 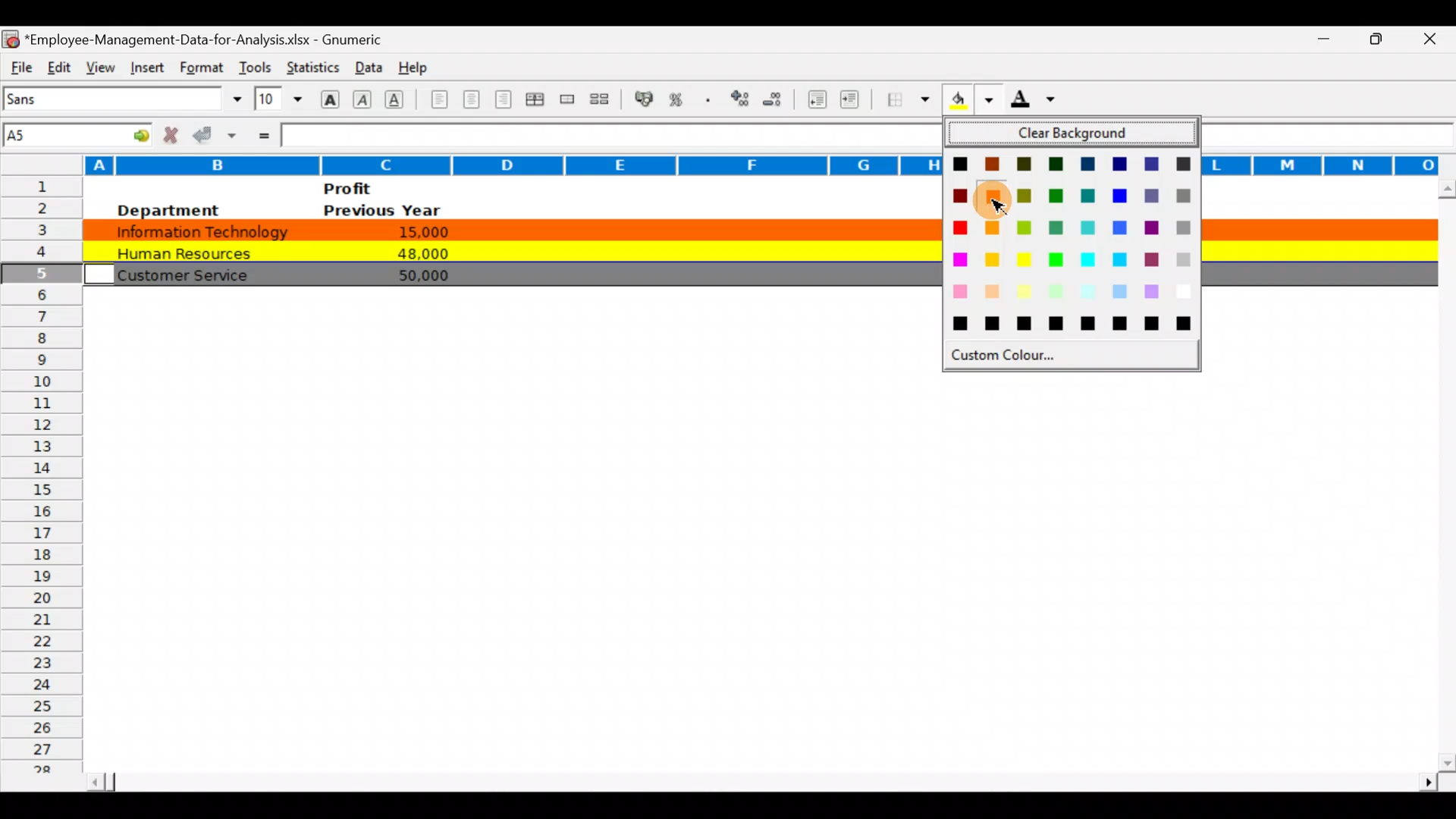 What do you see at coordinates (472, 102) in the screenshot?
I see `Centre horizontally` at bounding box center [472, 102].